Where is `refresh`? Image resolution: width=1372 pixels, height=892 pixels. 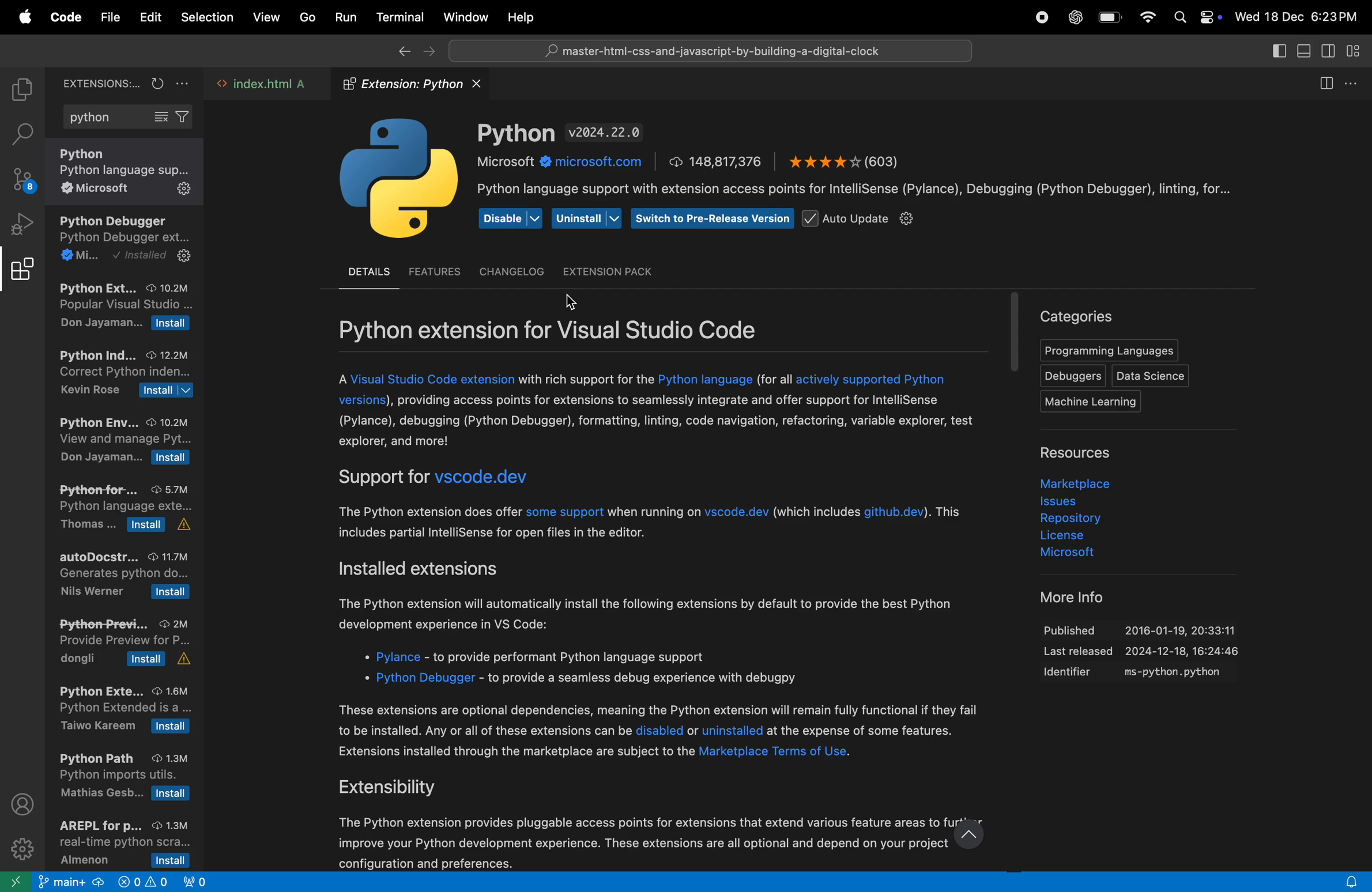 refresh is located at coordinates (156, 82).